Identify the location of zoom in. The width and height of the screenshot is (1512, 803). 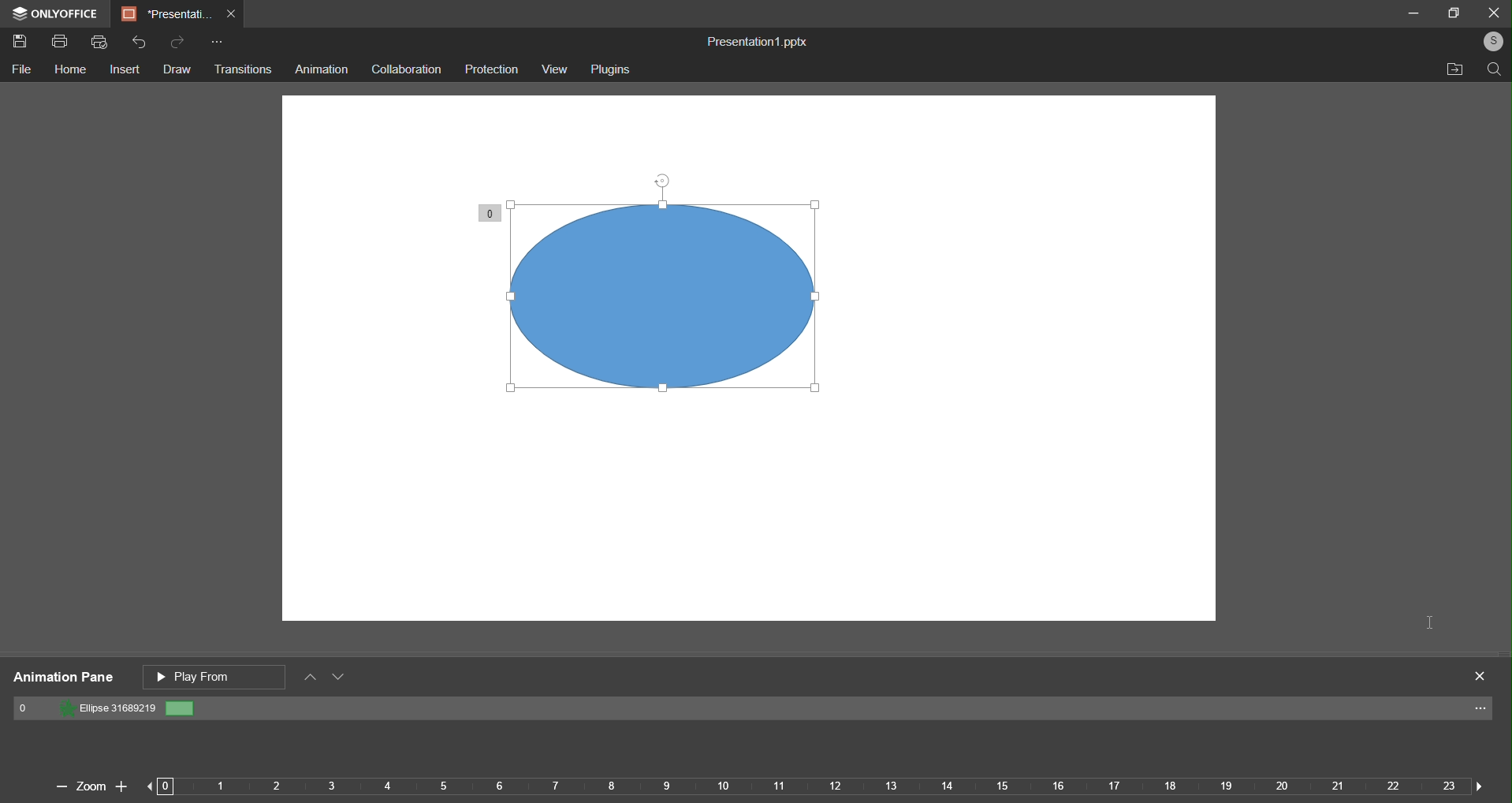
(121, 783).